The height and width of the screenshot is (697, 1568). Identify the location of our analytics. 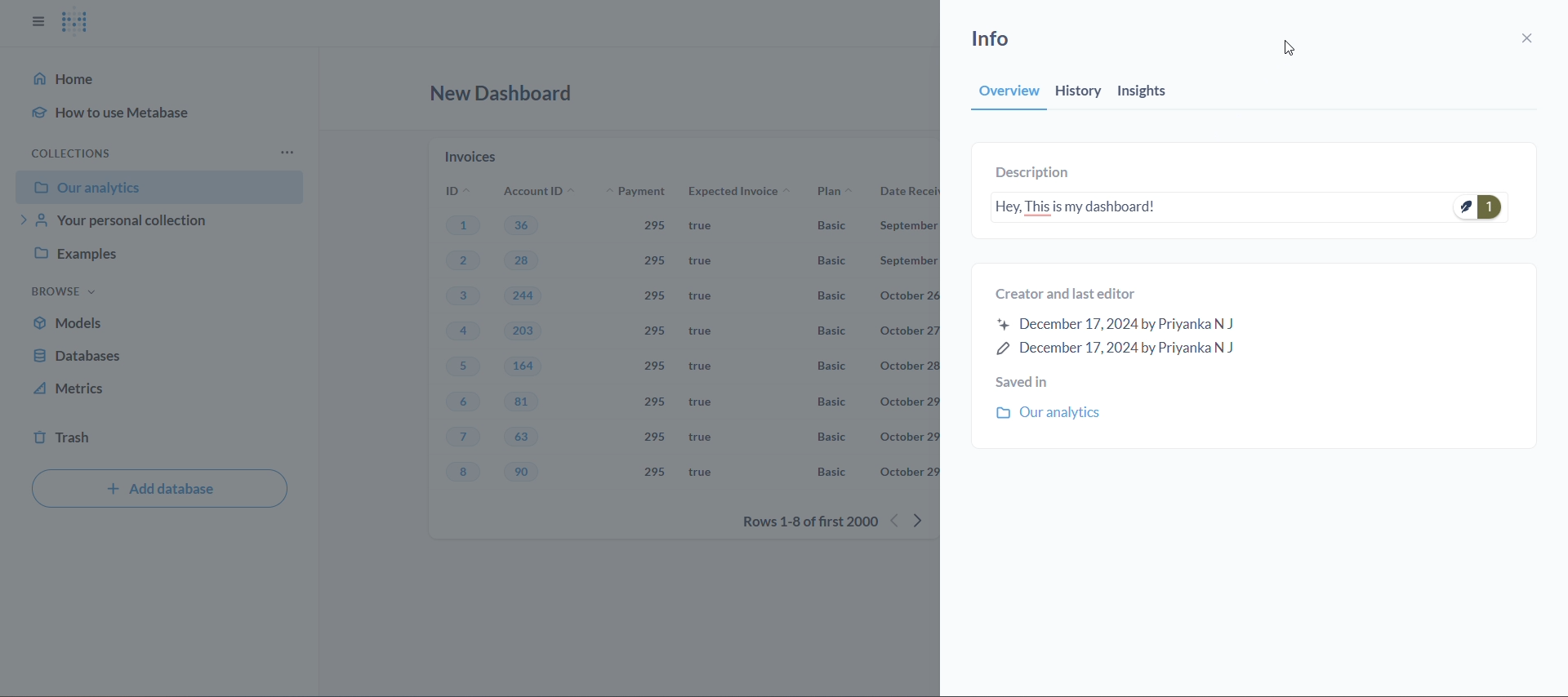
(159, 187).